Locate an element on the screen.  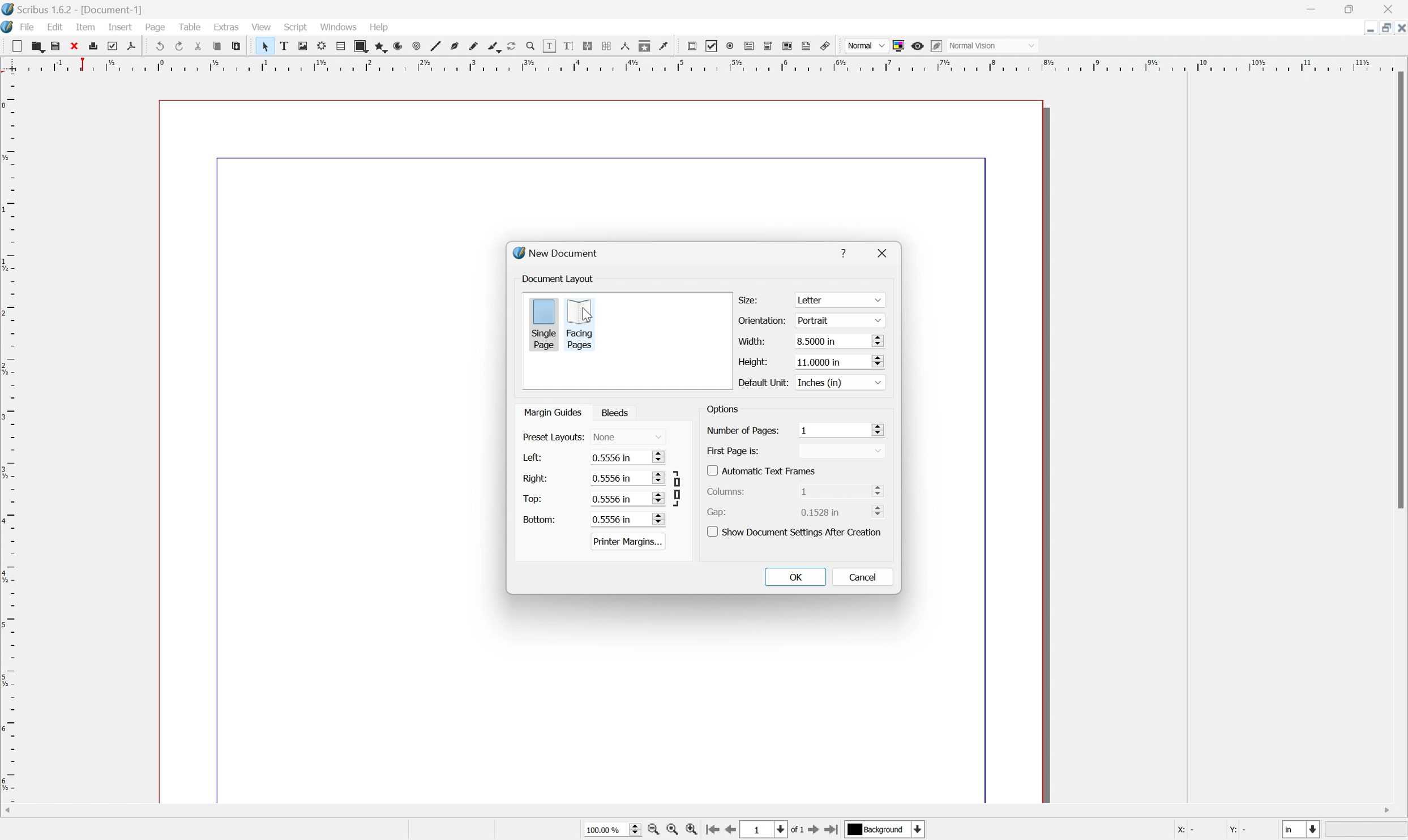
Undo is located at coordinates (159, 46).